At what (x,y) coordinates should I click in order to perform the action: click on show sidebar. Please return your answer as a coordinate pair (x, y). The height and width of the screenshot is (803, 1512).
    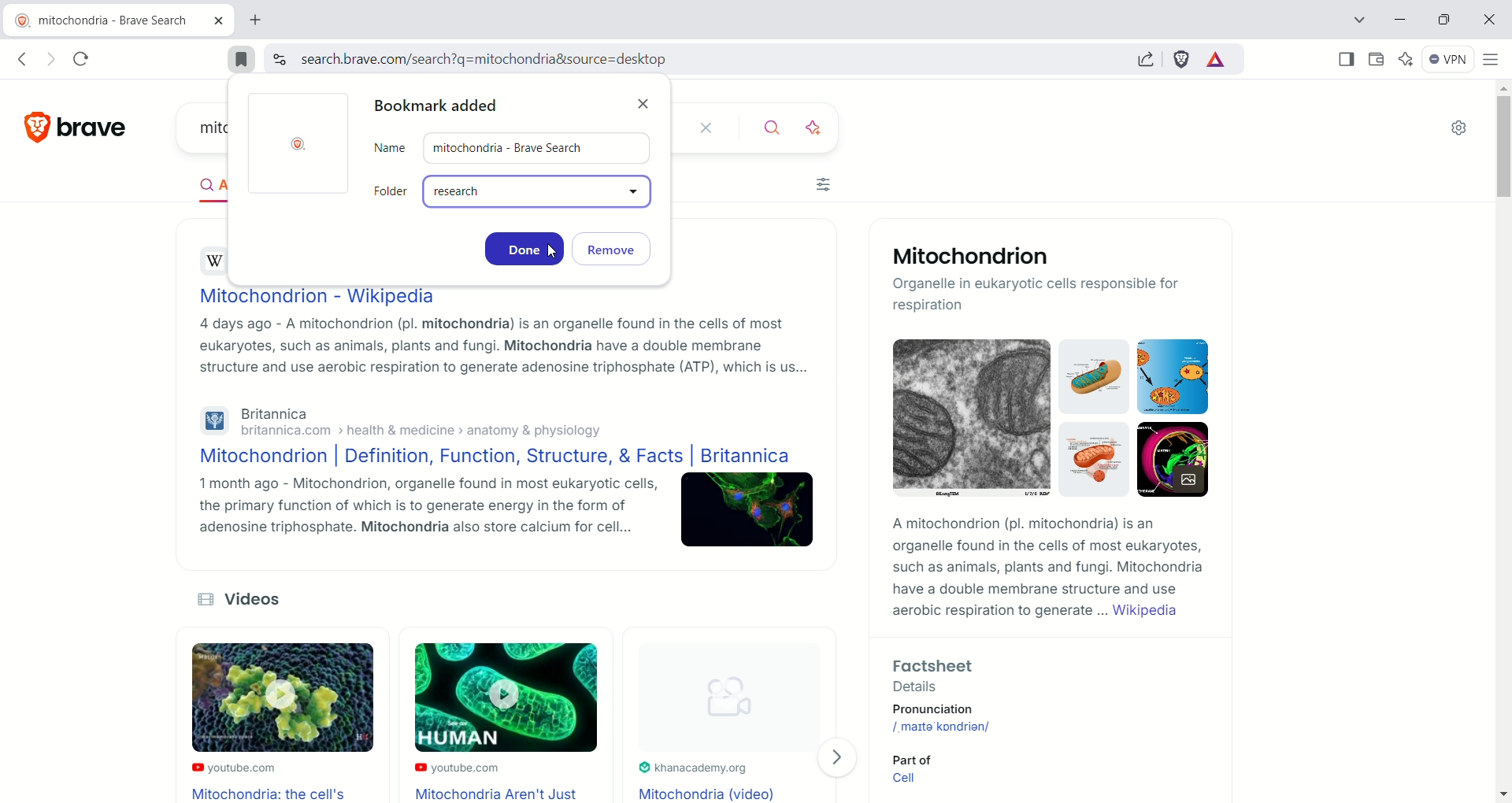
    Looking at the image, I should click on (1345, 58).